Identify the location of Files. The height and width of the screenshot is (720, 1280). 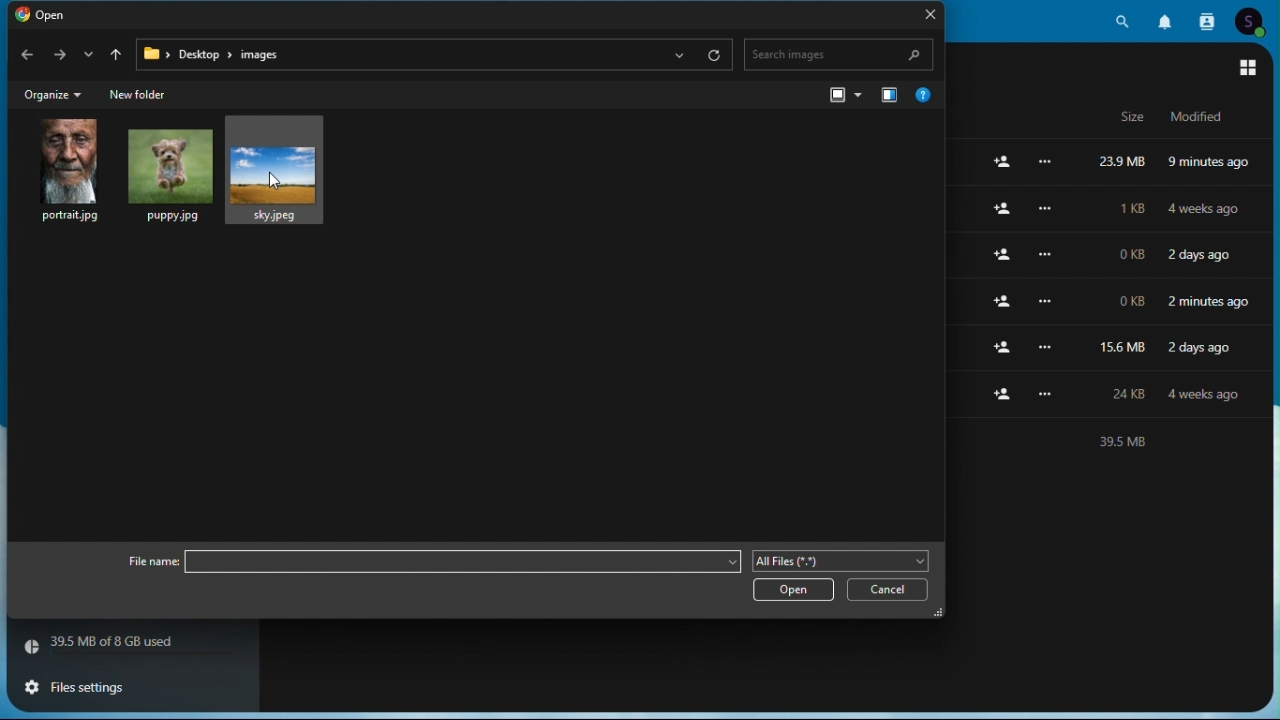
(1112, 391).